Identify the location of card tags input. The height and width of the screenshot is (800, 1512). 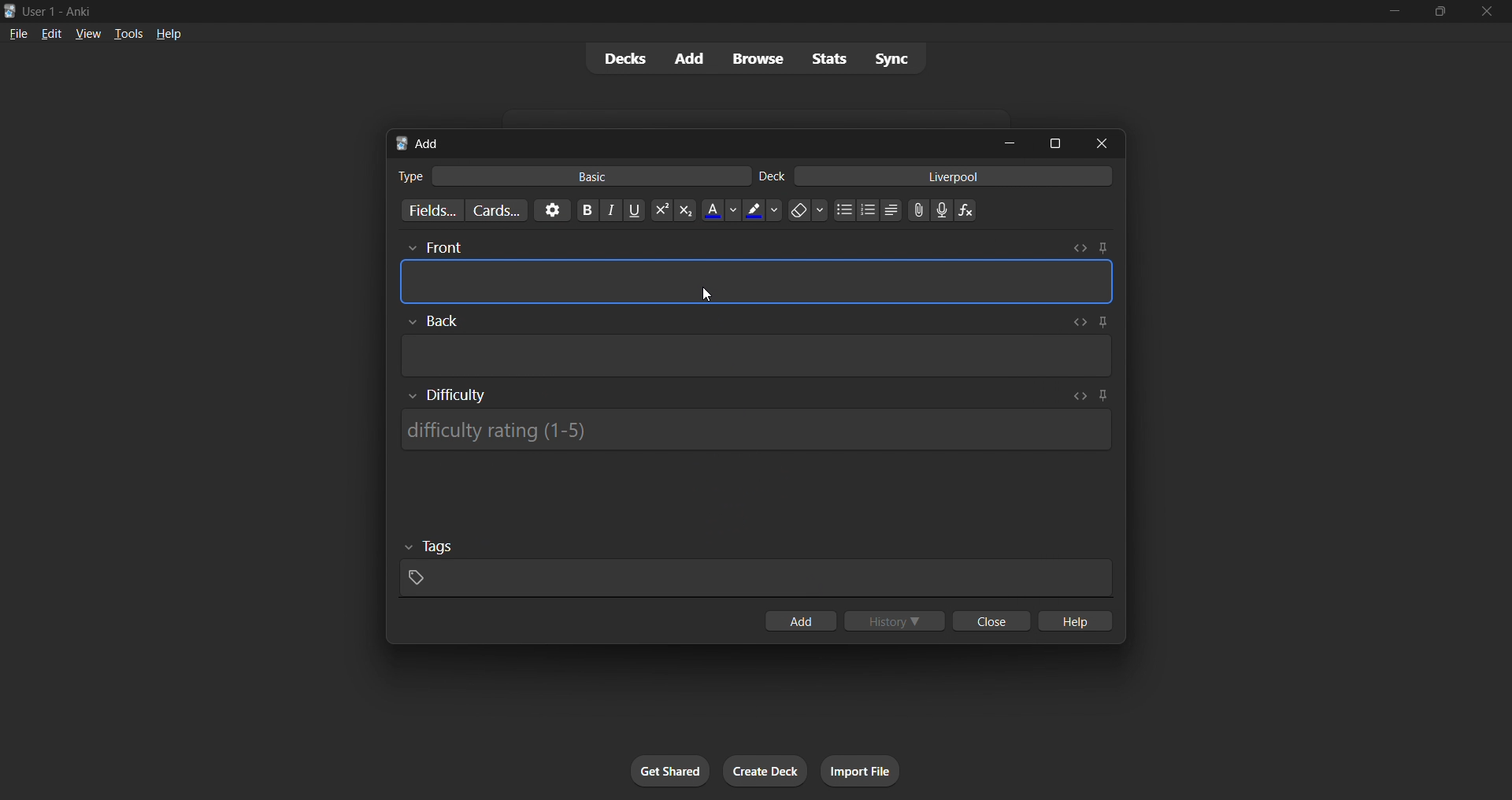
(756, 579).